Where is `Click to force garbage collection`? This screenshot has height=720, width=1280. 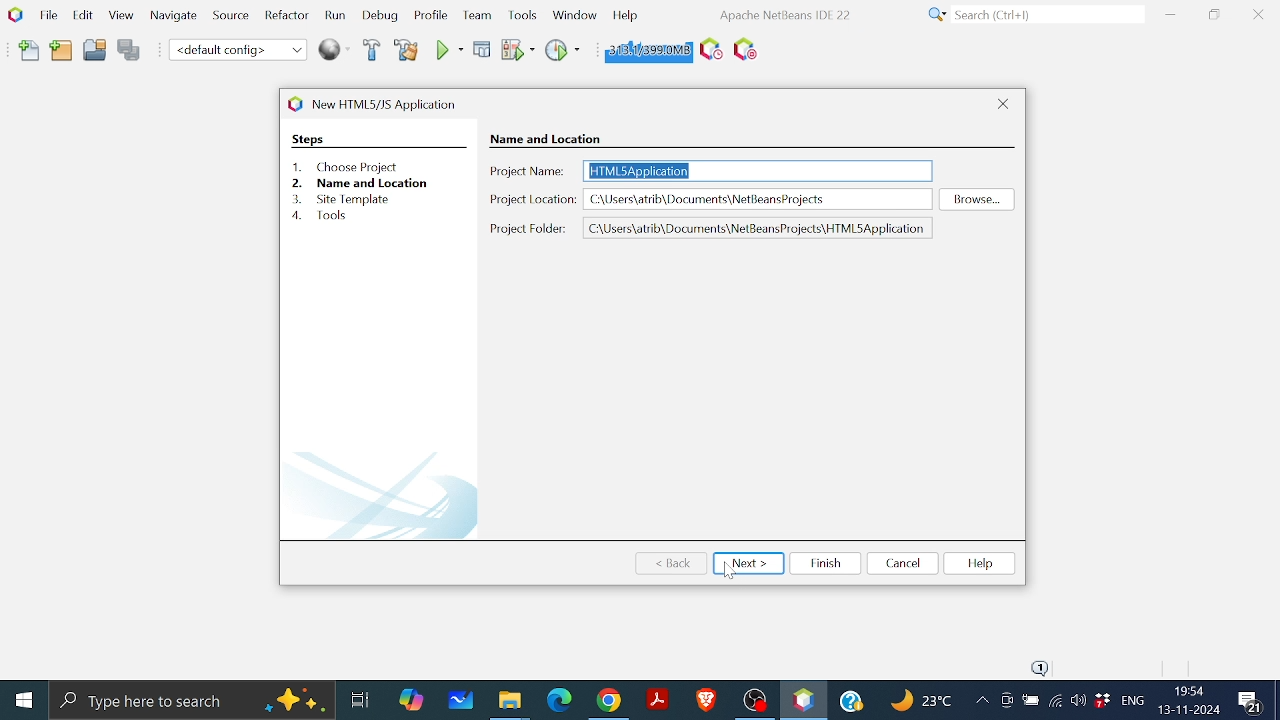
Click to force garbage collection is located at coordinates (646, 49).